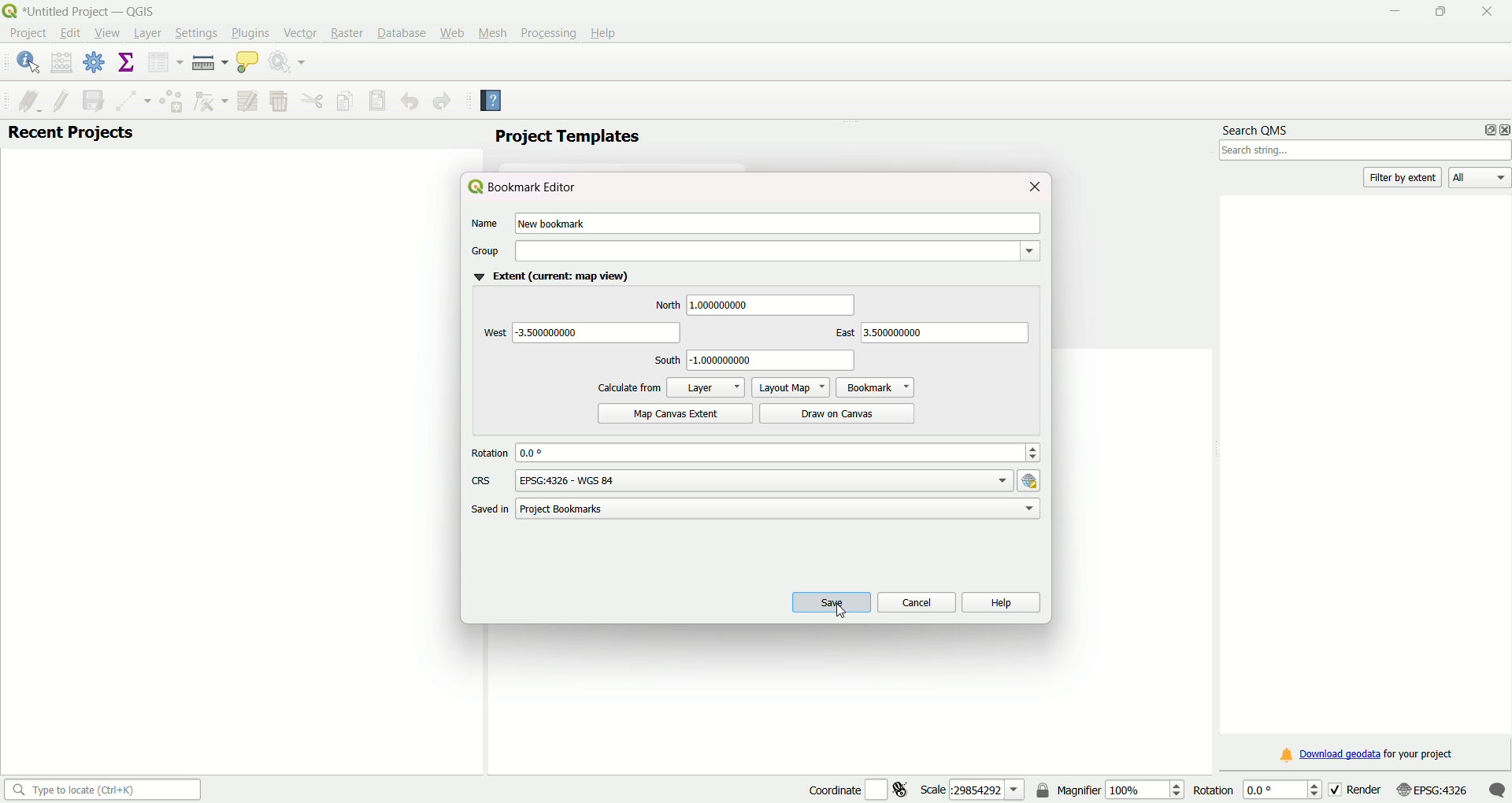 The width and height of the screenshot is (1512, 803). What do you see at coordinates (903, 789) in the screenshot?
I see `toggle extents` at bounding box center [903, 789].